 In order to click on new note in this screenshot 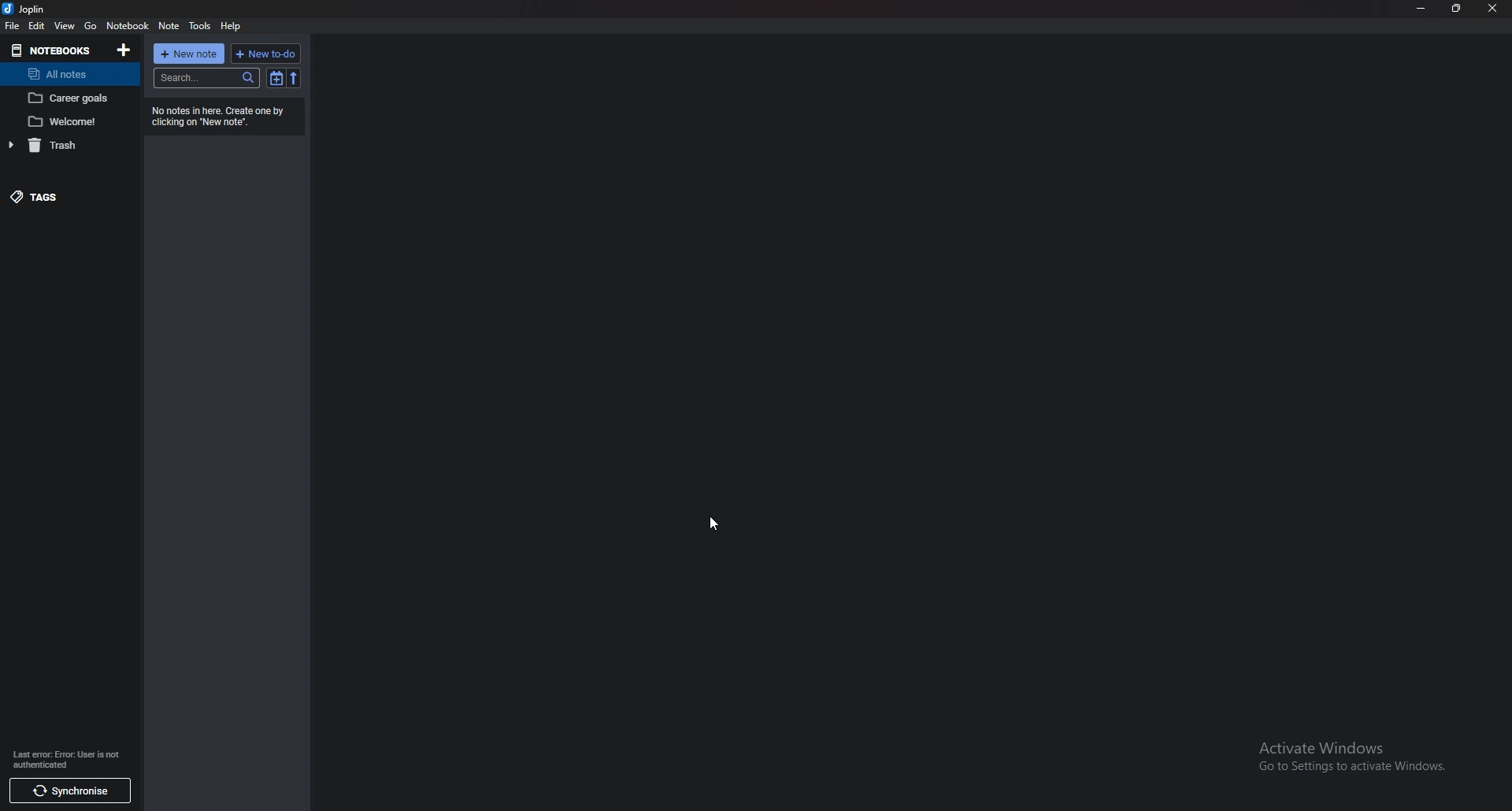, I will do `click(190, 54)`.